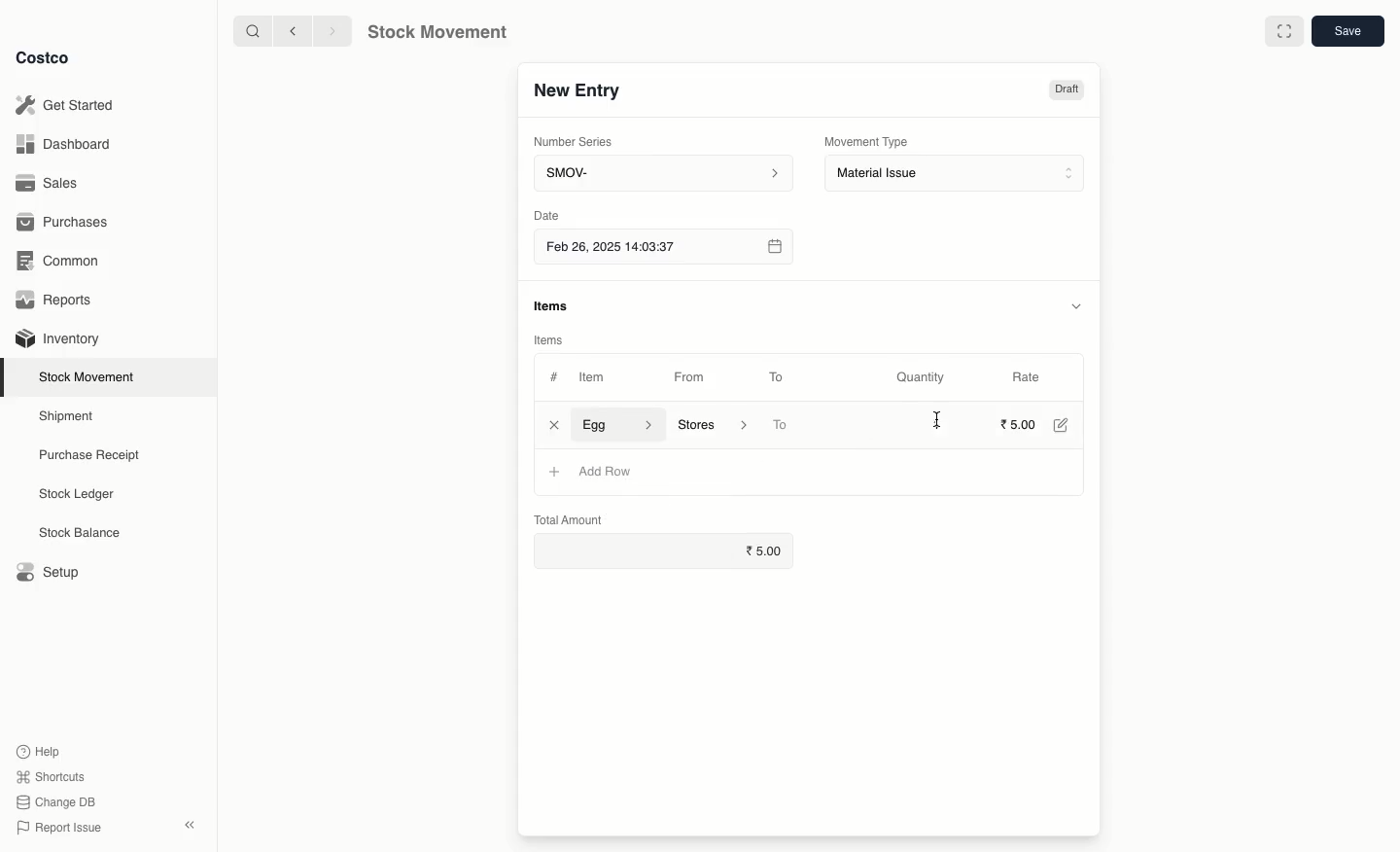 Image resolution: width=1400 pixels, height=852 pixels. Describe the element at coordinates (296, 32) in the screenshot. I see `backward` at that location.